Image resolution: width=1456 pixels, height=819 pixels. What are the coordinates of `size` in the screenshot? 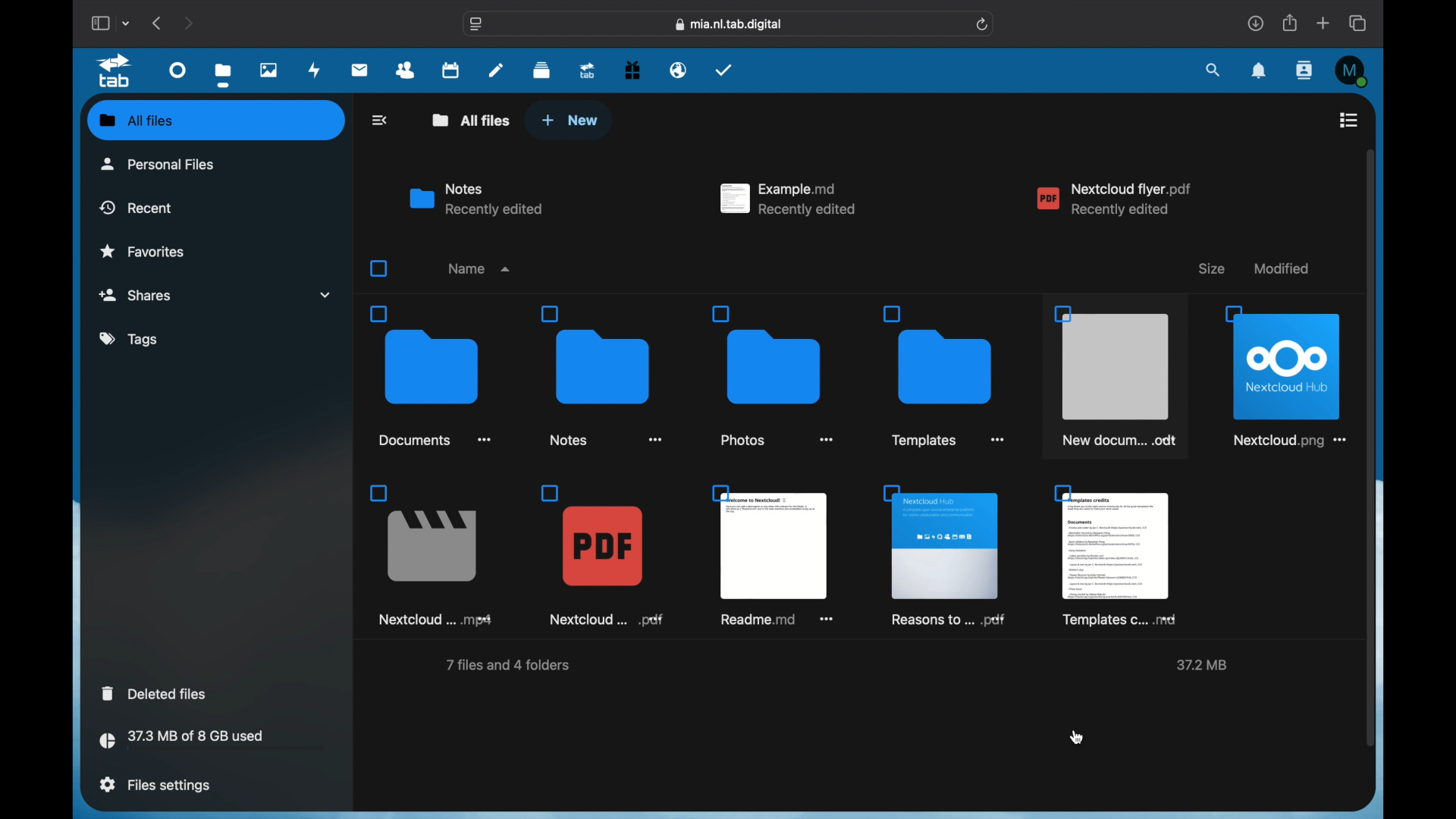 It's located at (1216, 265).